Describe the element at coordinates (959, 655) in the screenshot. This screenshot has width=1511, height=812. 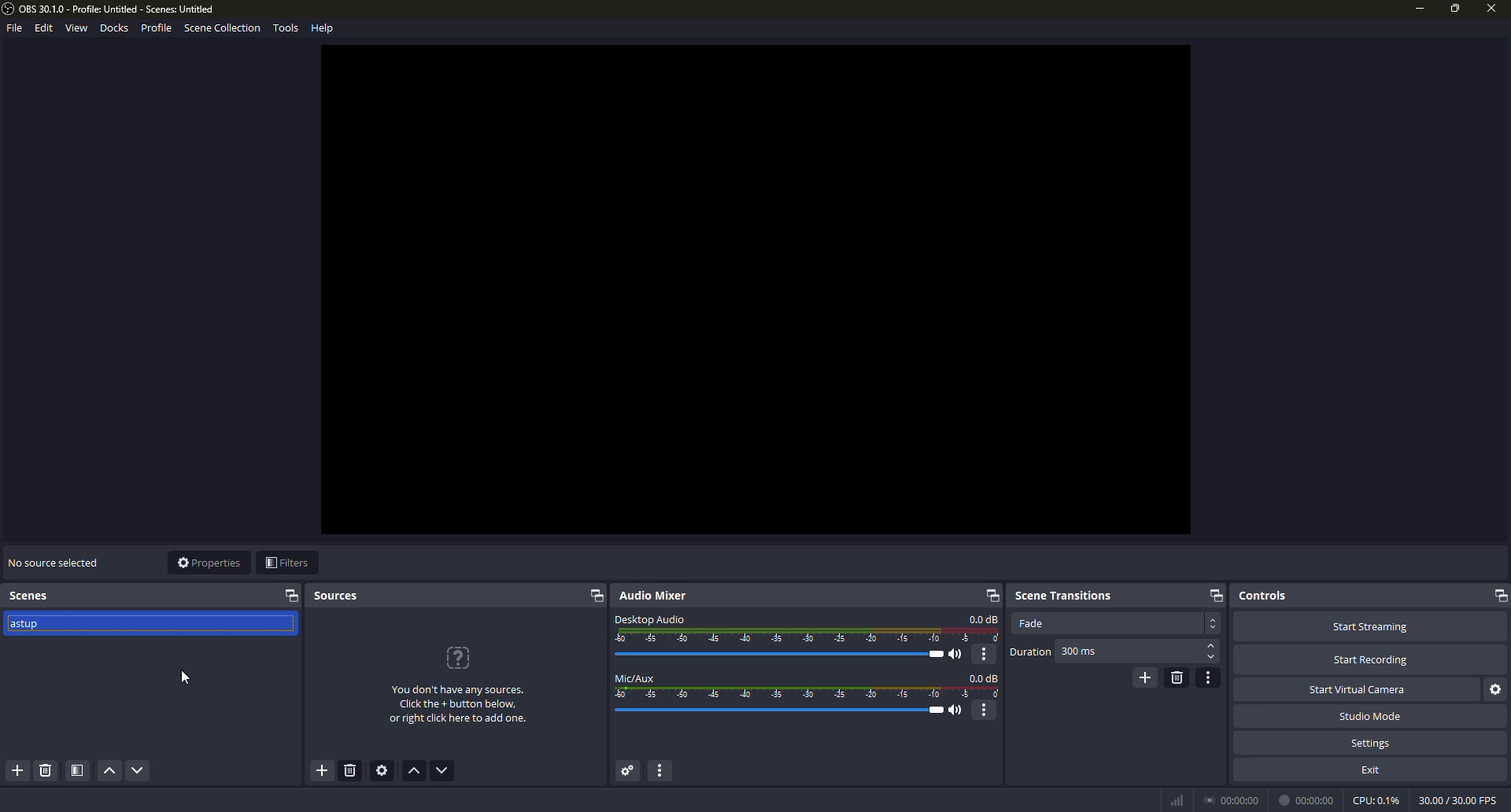
I see `mute` at that location.